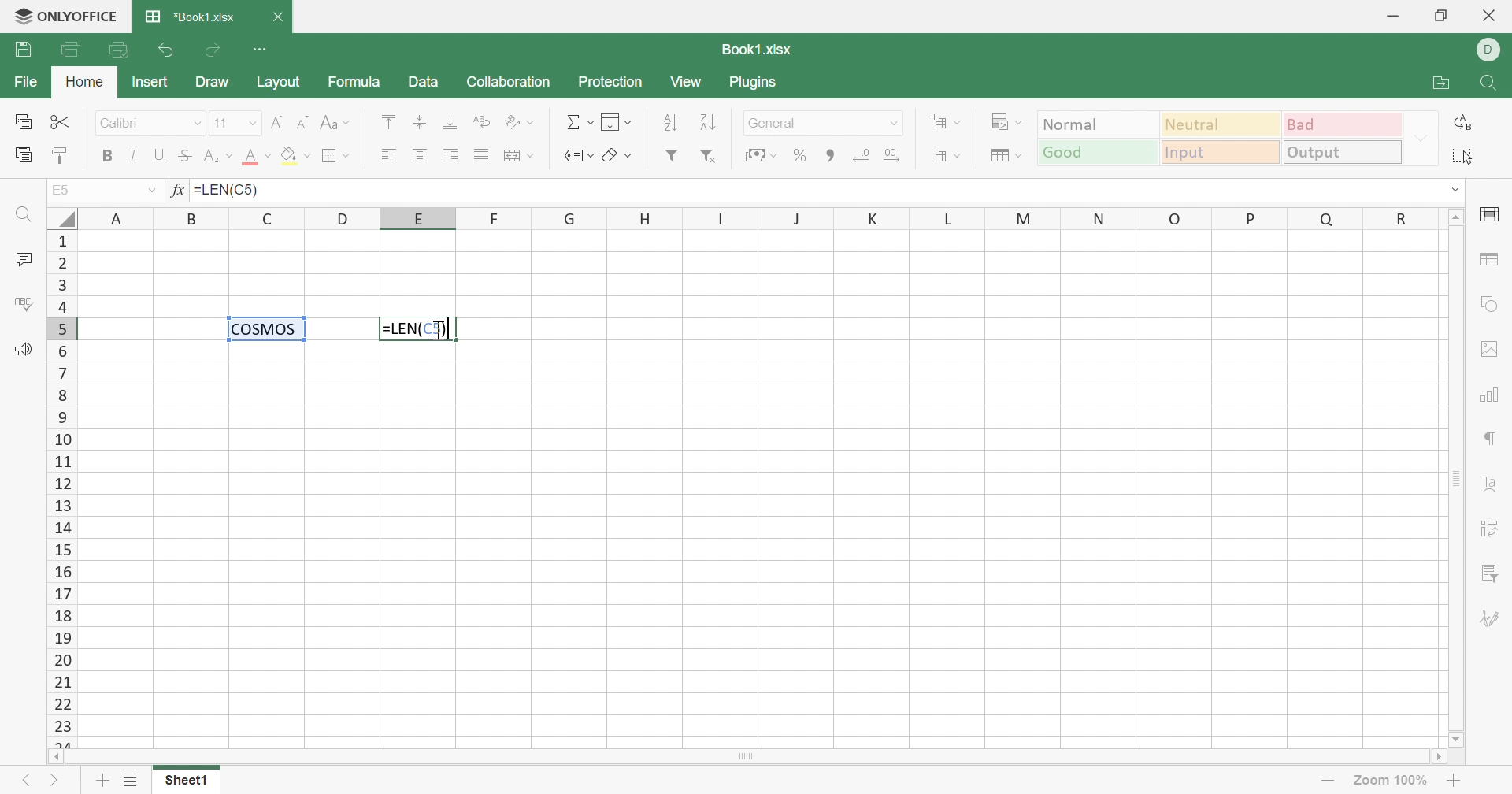  What do you see at coordinates (1442, 83) in the screenshot?
I see `Open file location` at bounding box center [1442, 83].